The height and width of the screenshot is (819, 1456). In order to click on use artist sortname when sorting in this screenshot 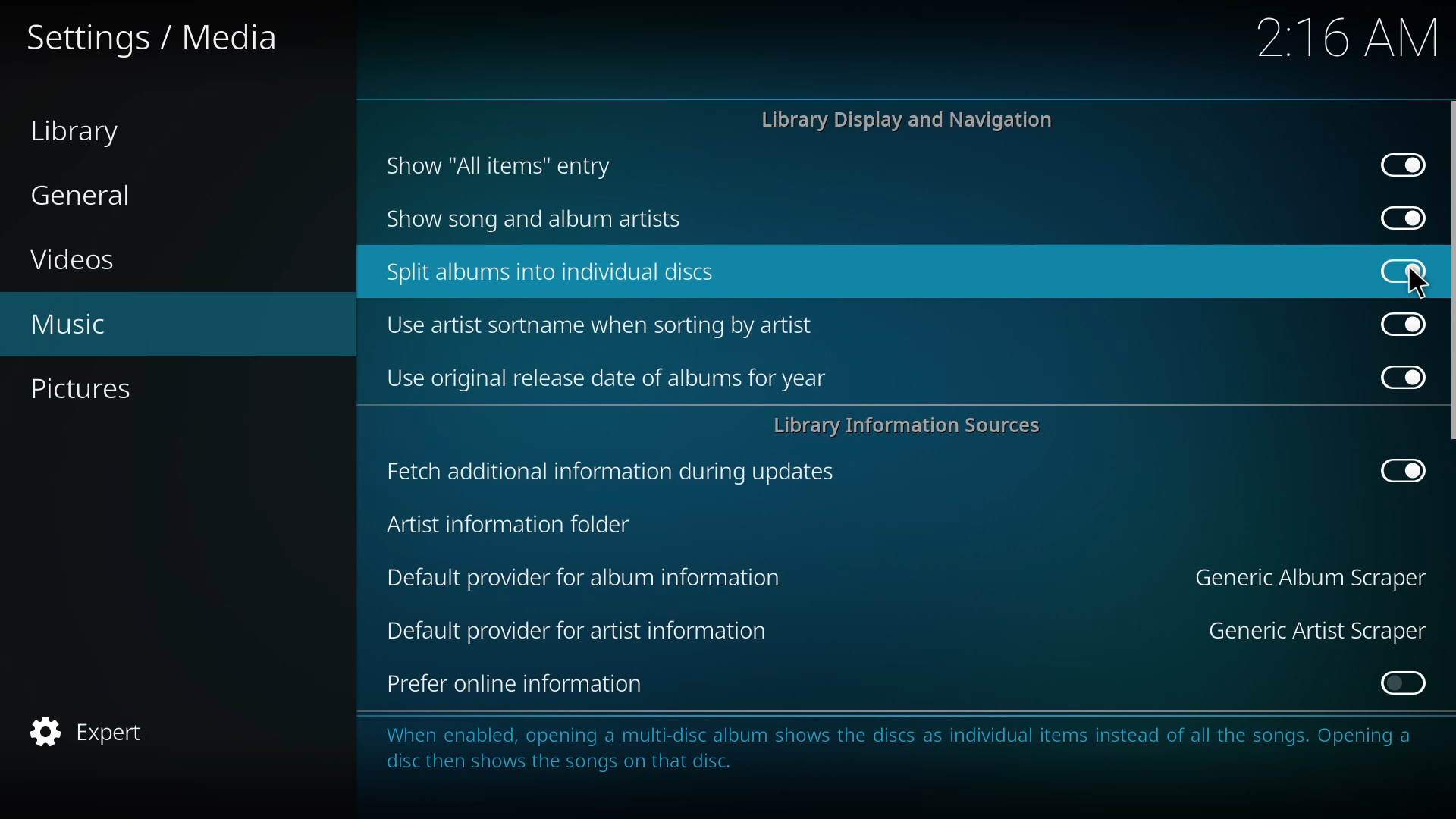, I will do `click(605, 325)`.